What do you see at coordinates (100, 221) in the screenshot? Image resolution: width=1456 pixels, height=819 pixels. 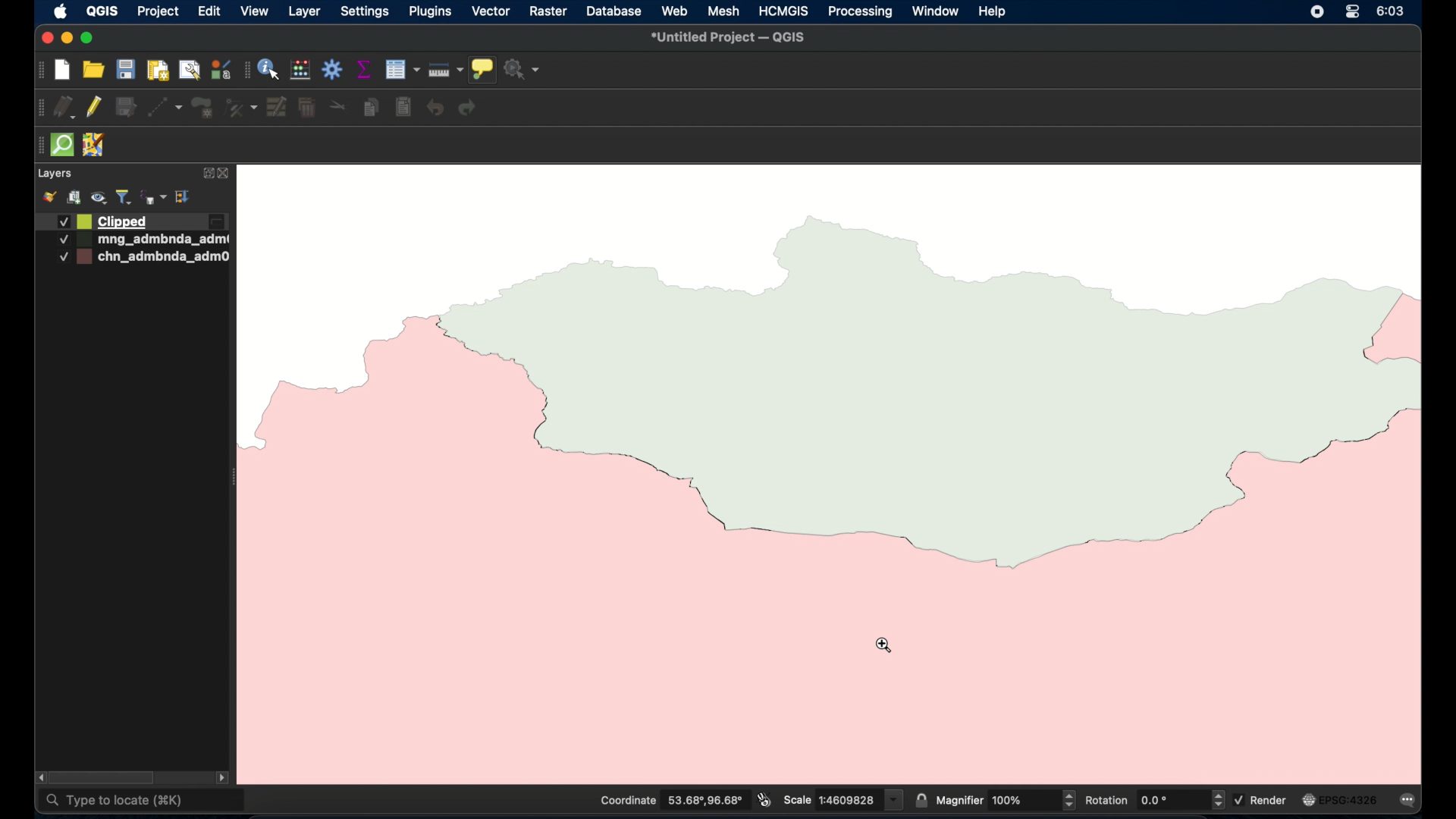 I see `clipped layer` at bounding box center [100, 221].